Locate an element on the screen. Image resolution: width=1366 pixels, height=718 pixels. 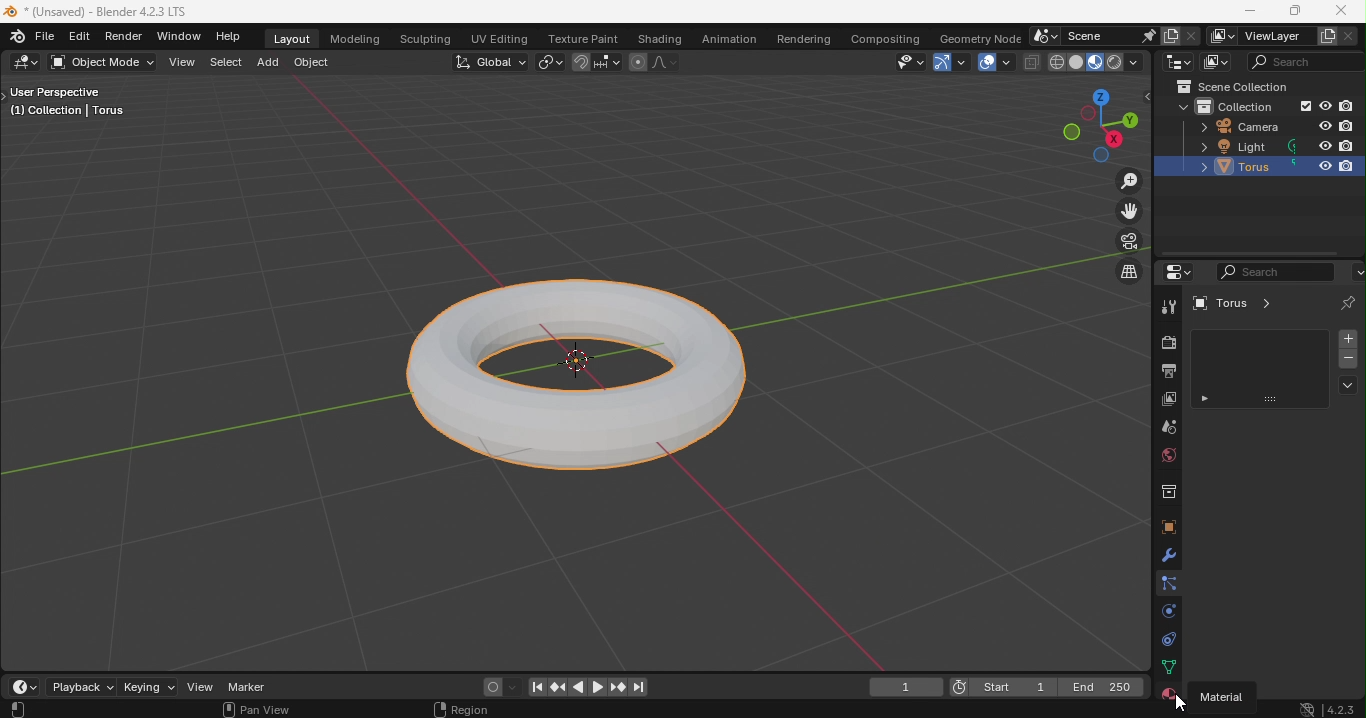
Compositing is located at coordinates (887, 40).